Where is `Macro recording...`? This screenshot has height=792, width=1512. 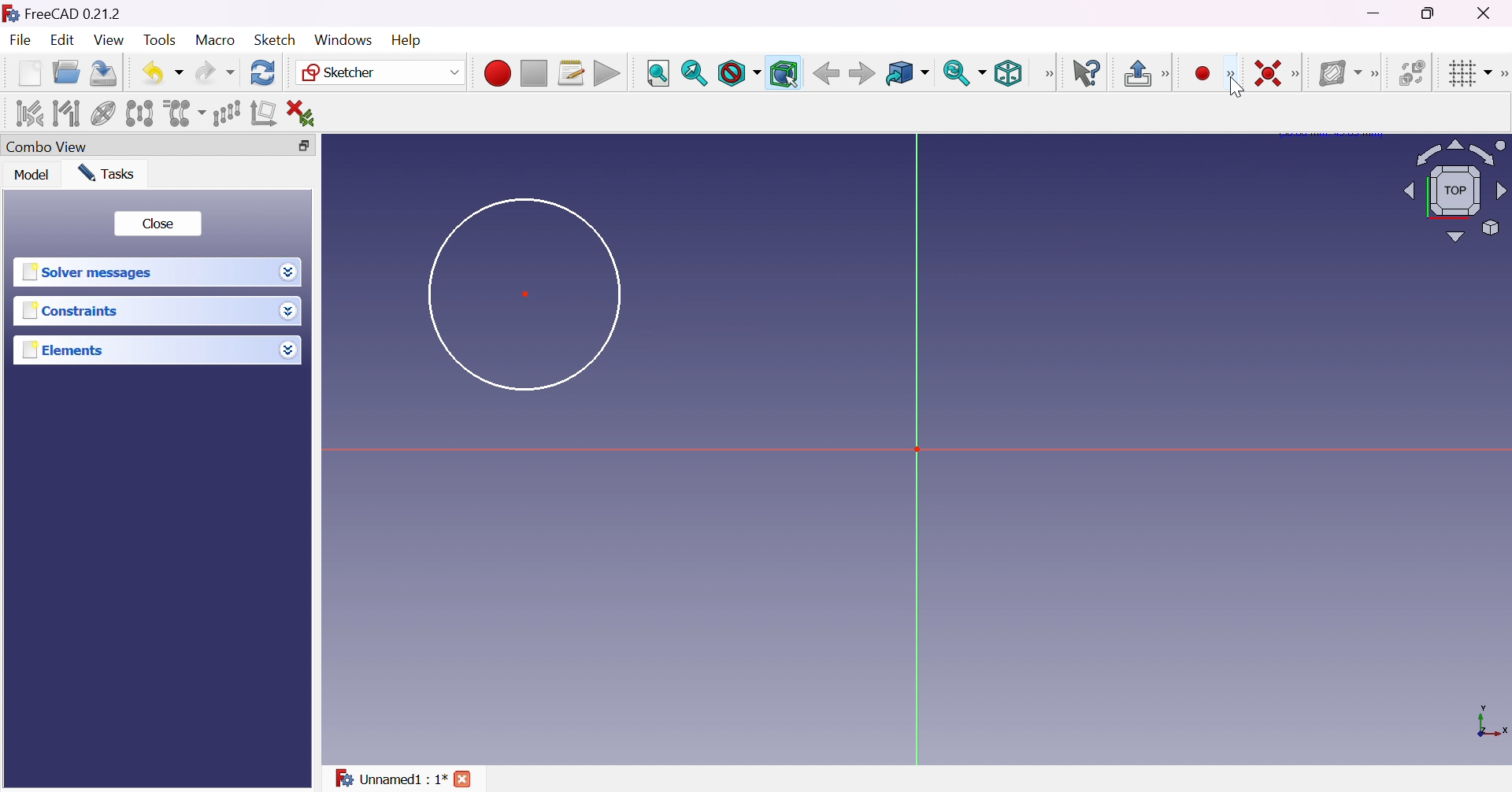 Macro recording... is located at coordinates (497, 71).